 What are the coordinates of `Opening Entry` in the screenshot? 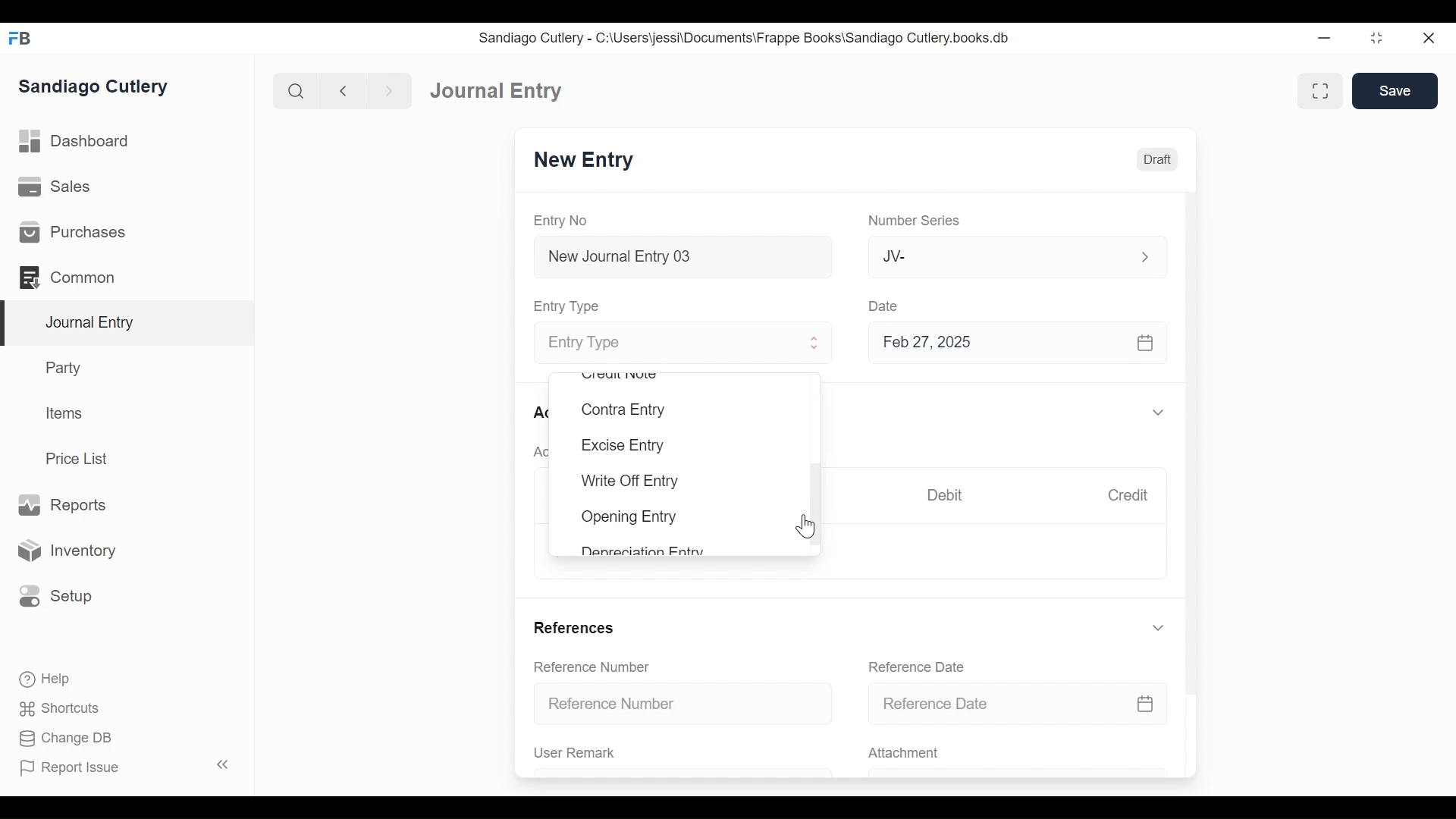 It's located at (634, 518).